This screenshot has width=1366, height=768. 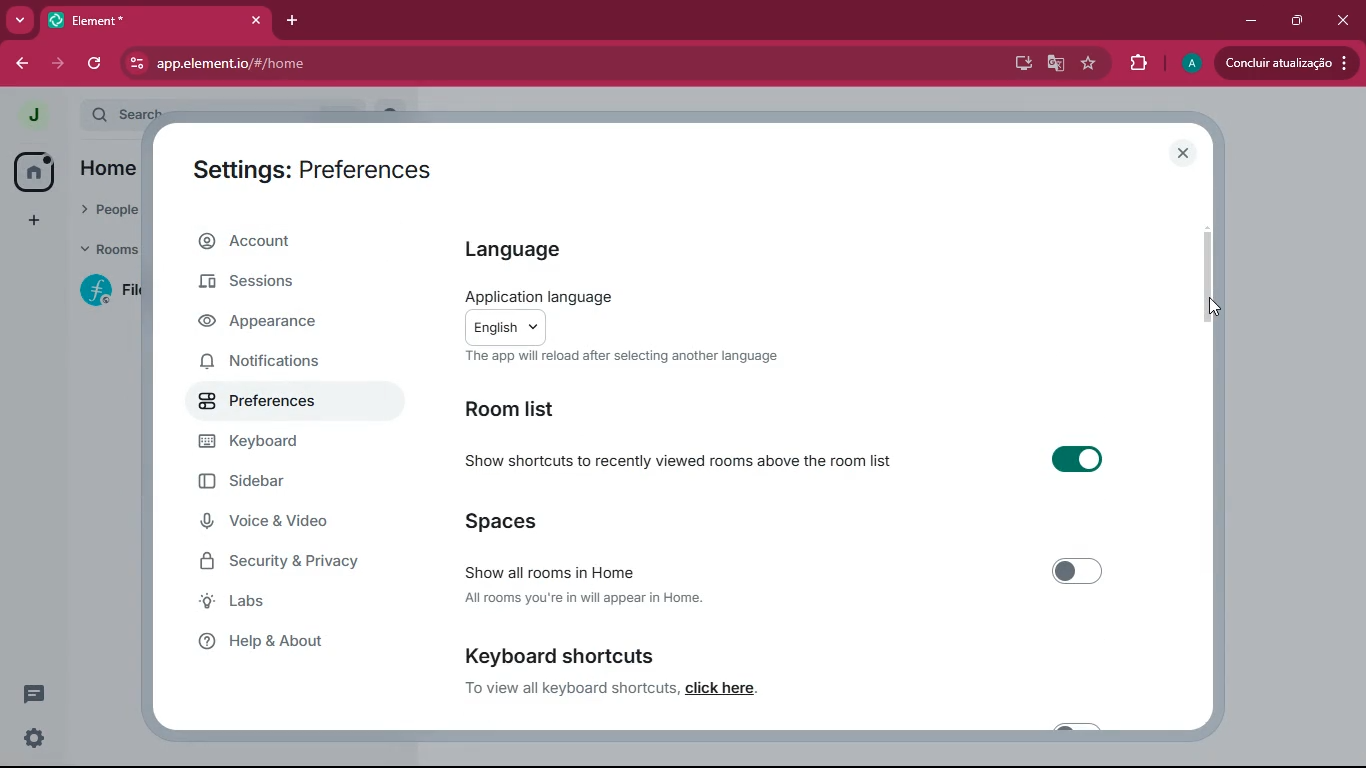 I want to click on preferences, so click(x=276, y=403).